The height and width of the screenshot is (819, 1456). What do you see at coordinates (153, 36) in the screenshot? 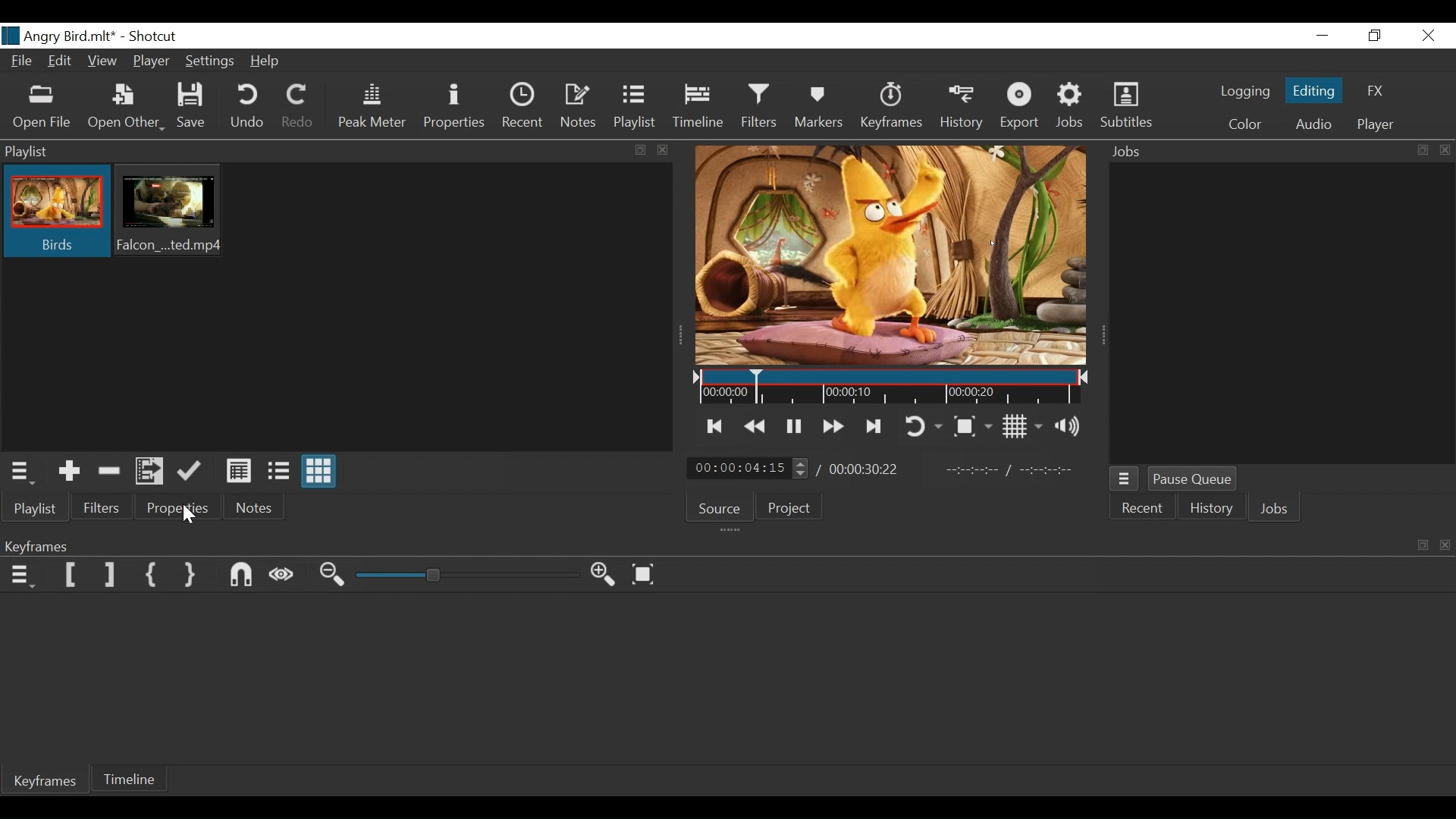
I see `Shotcut` at bounding box center [153, 36].